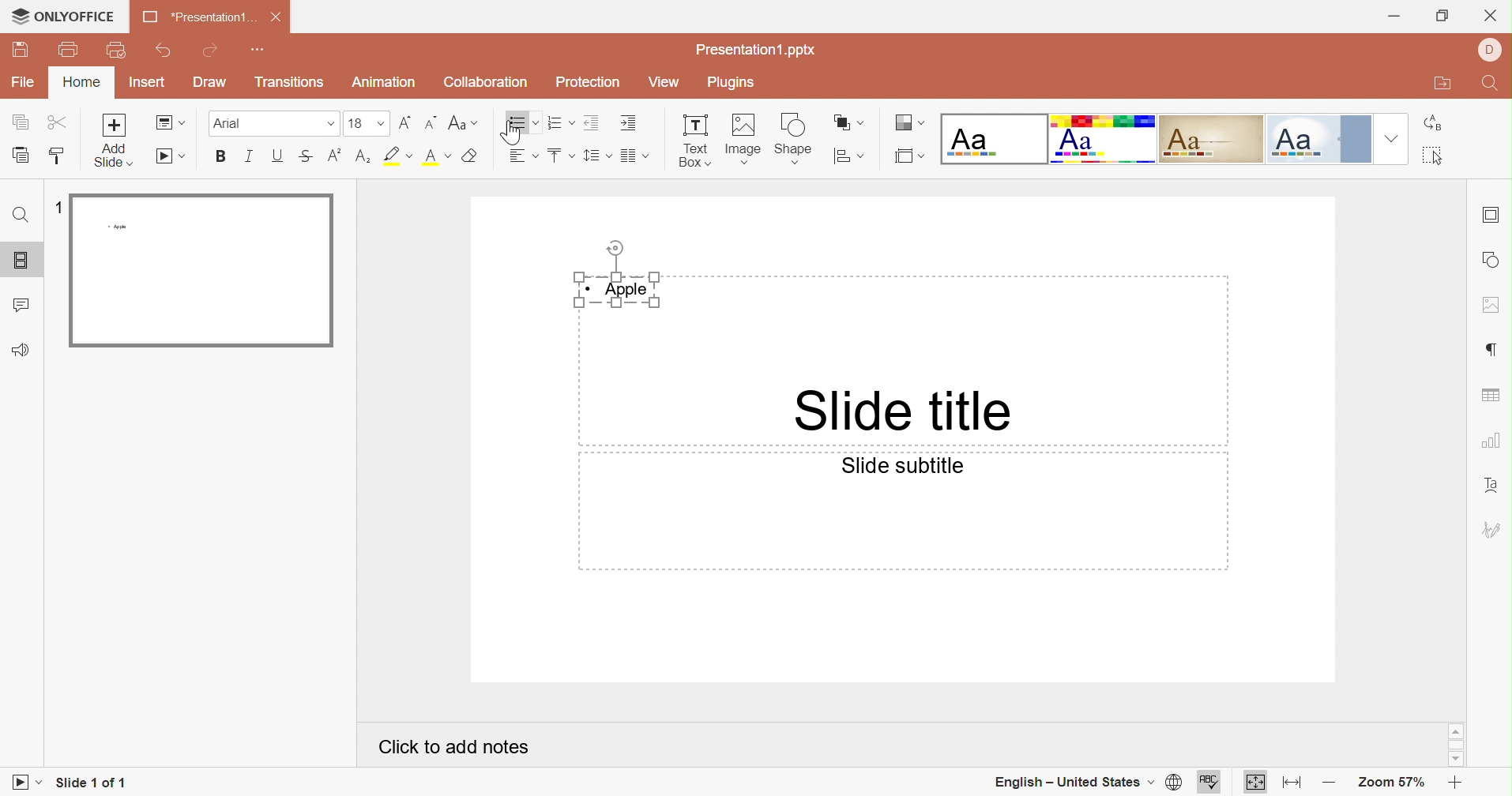 This screenshot has width=1512, height=796. Describe the element at coordinates (1491, 258) in the screenshot. I see `shape settings` at that location.